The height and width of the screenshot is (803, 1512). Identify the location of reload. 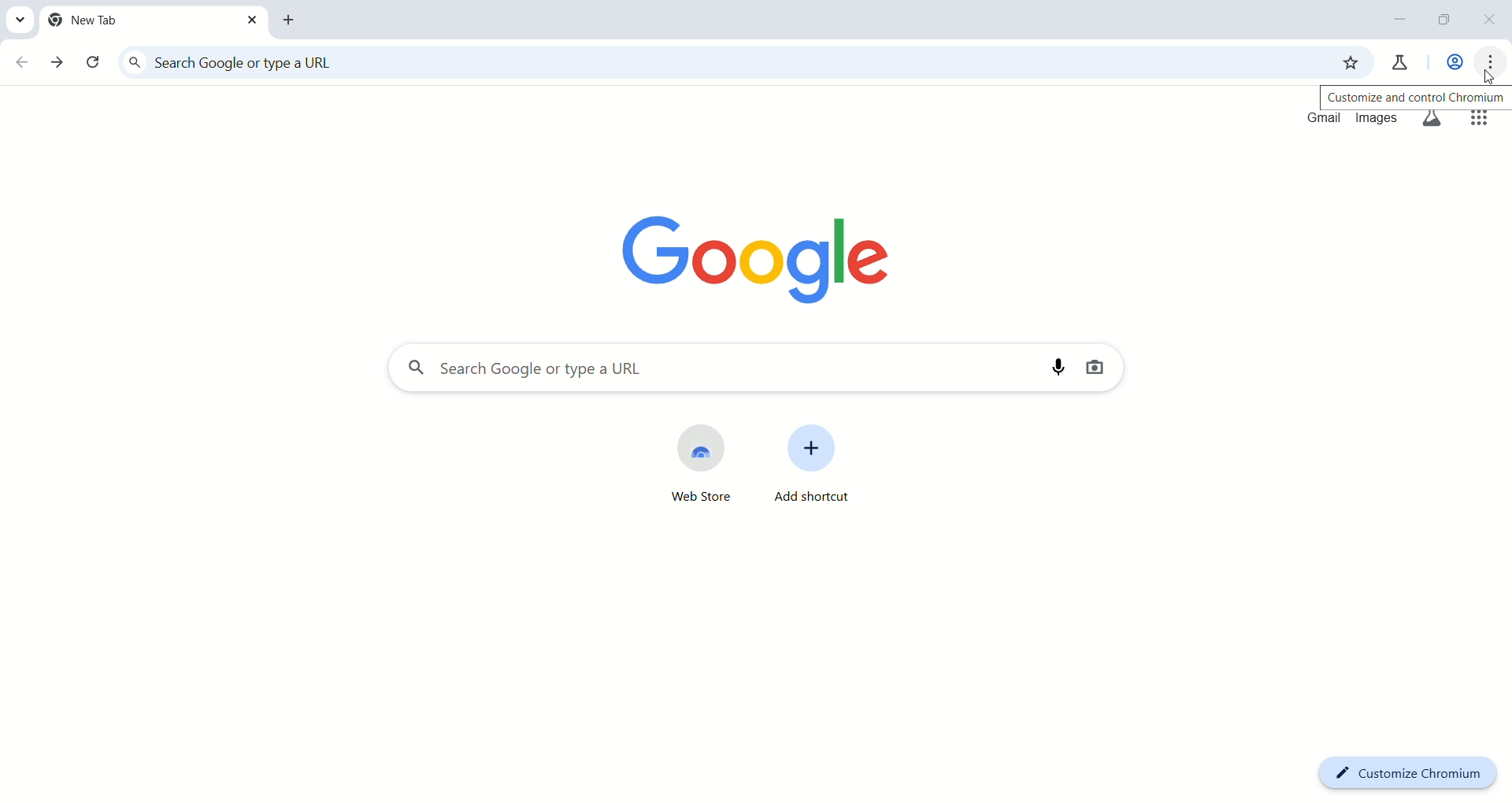
(95, 65).